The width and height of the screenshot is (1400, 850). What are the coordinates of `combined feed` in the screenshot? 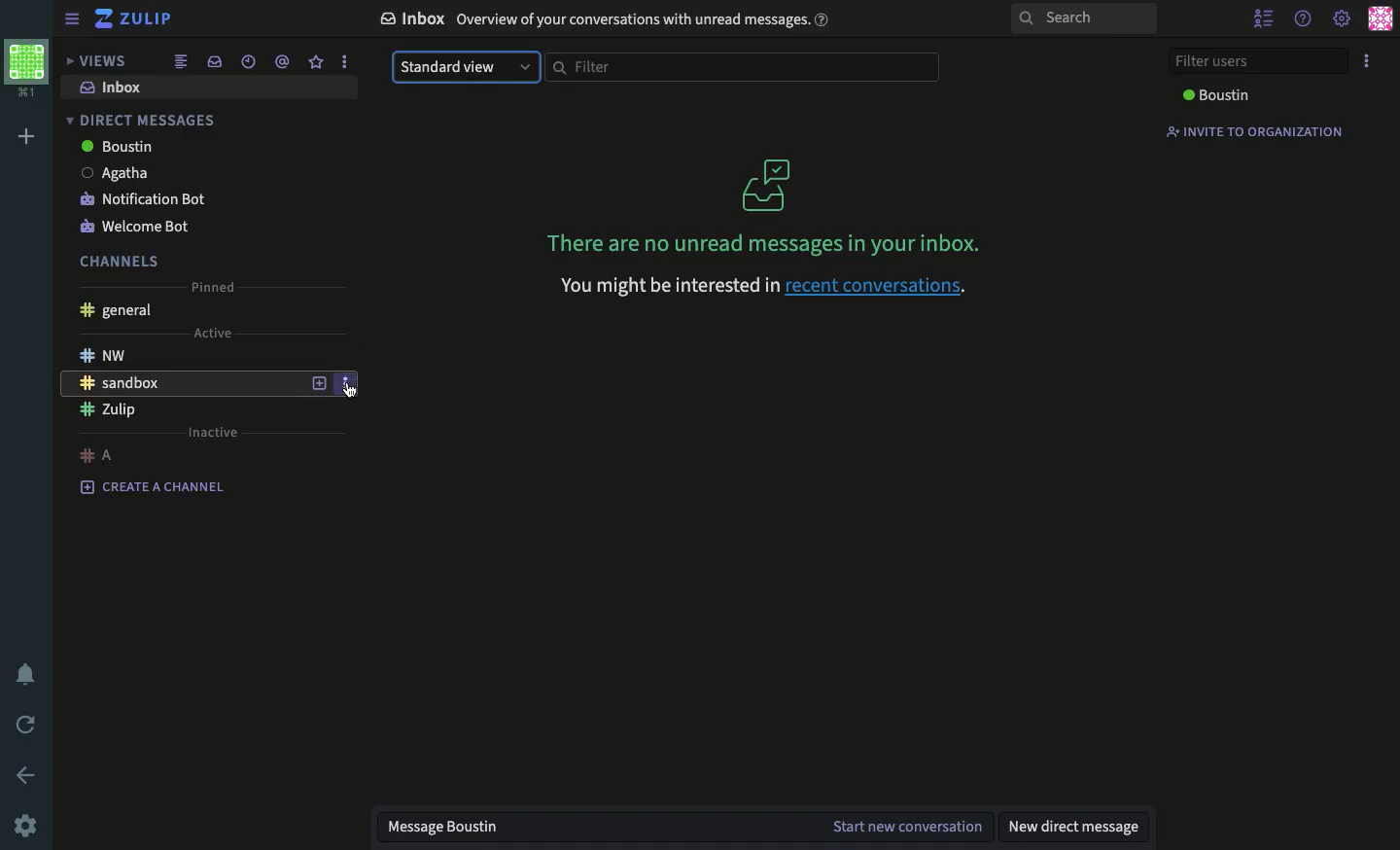 It's located at (183, 62).